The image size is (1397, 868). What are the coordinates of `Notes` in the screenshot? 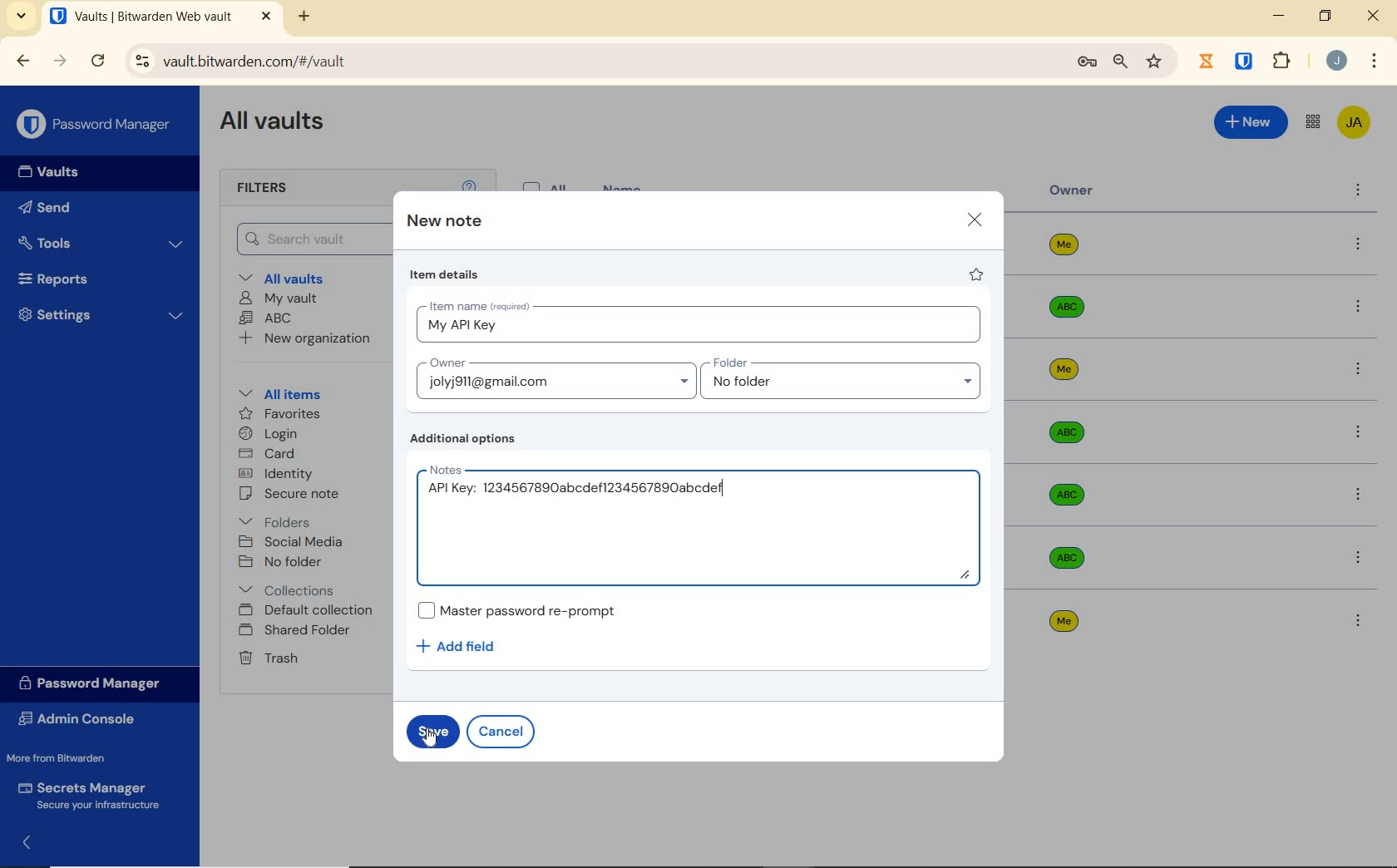 It's located at (443, 470).